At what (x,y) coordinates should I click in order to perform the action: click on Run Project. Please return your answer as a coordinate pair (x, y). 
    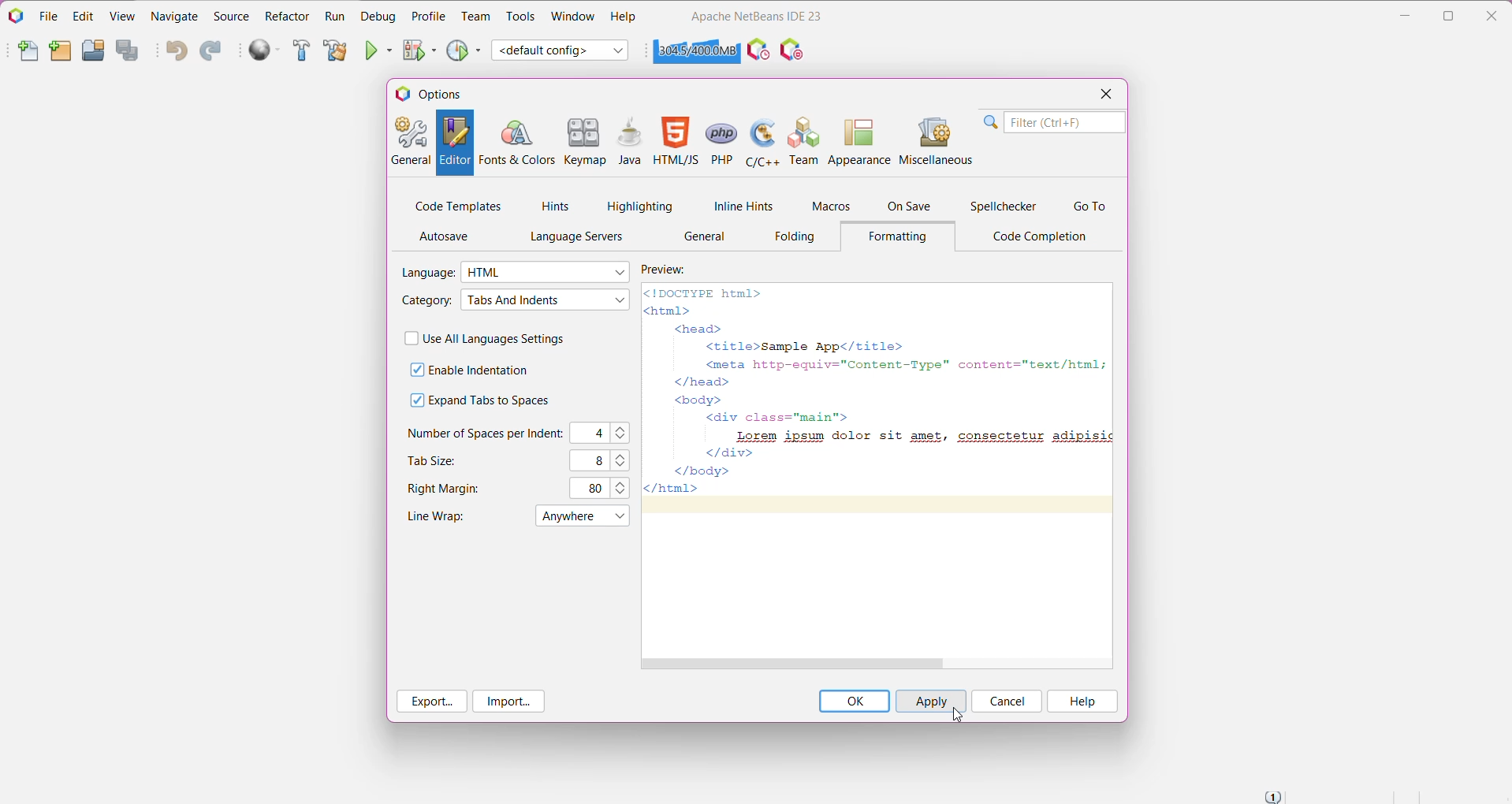
    Looking at the image, I should click on (380, 50).